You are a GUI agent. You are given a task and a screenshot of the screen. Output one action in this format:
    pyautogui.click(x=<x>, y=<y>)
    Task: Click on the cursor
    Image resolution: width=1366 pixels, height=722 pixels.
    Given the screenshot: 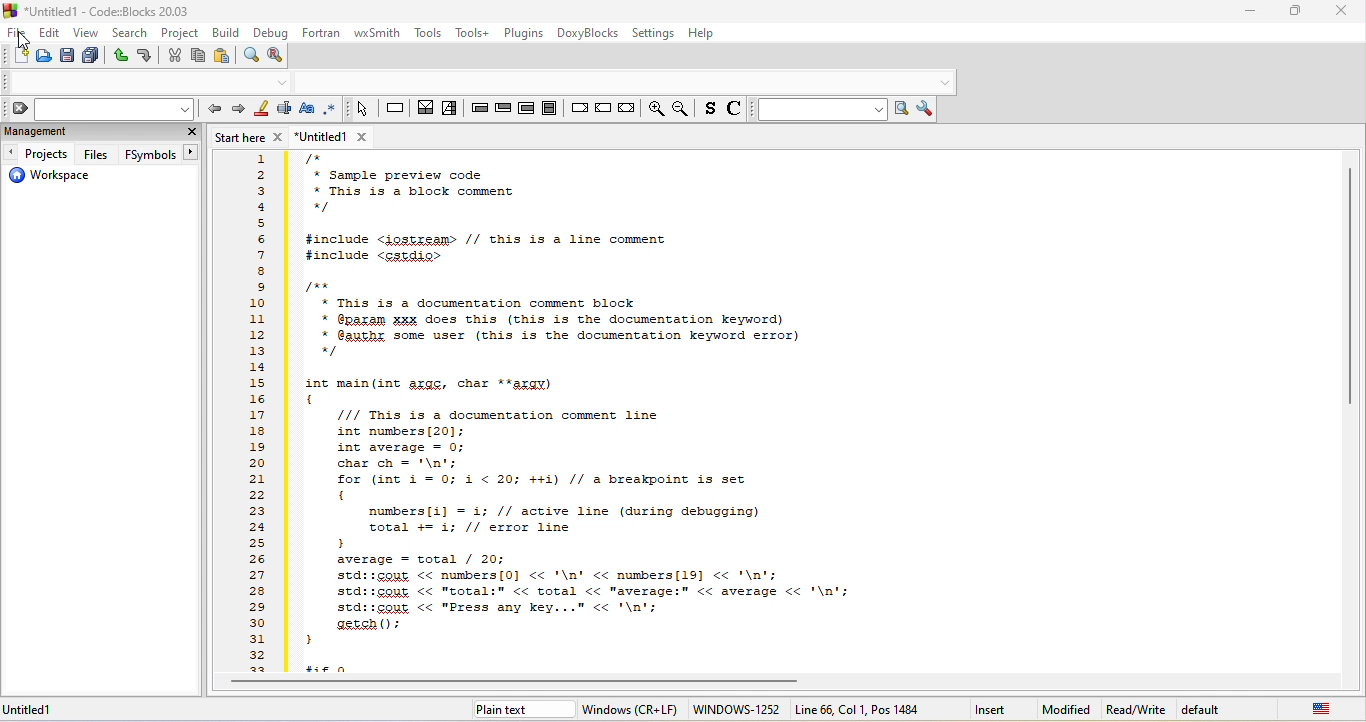 What is the action you would take?
    pyautogui.click(x=22, y=40)
    